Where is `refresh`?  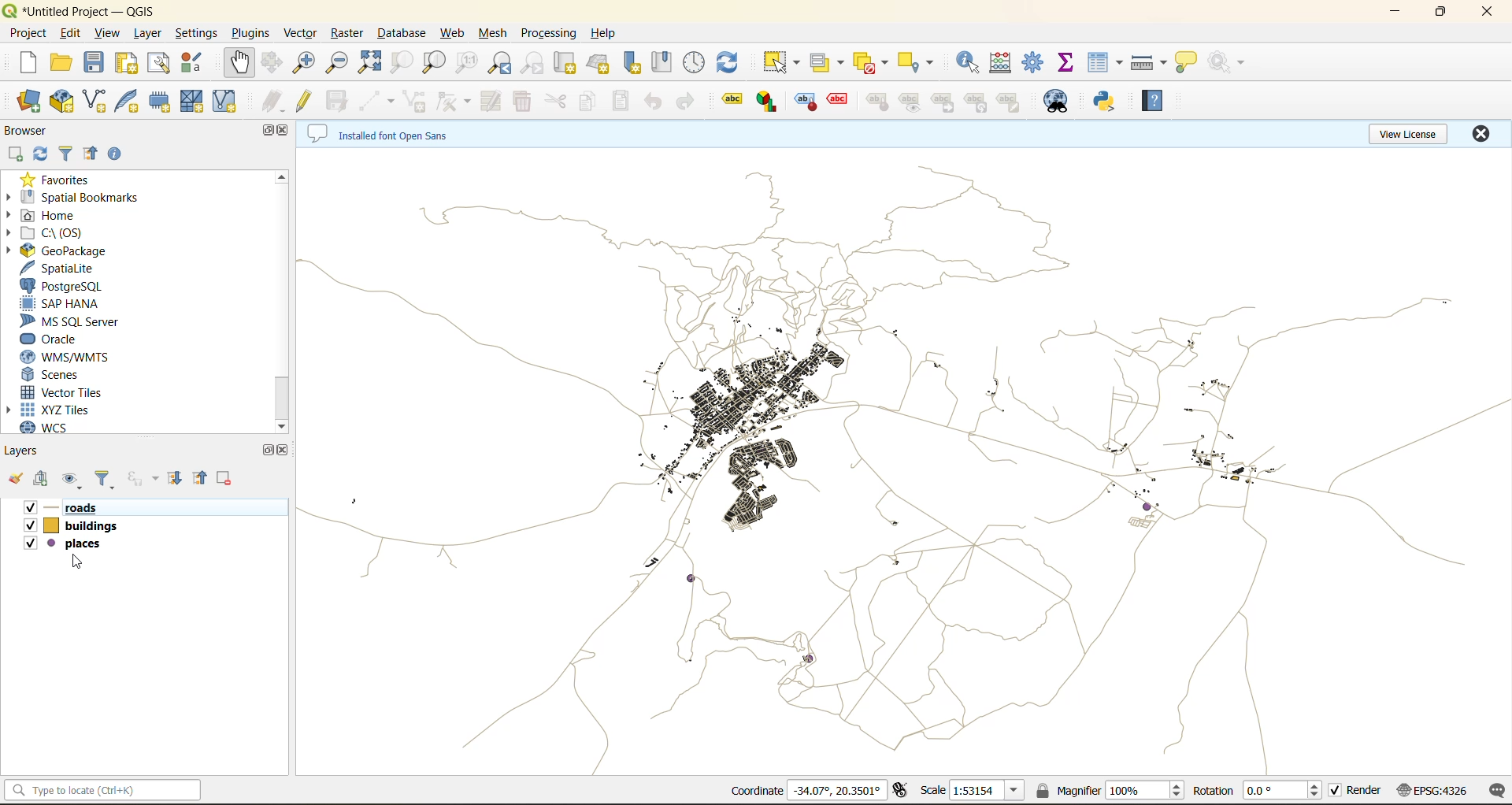 refresh is located at coordinates (40, 154).